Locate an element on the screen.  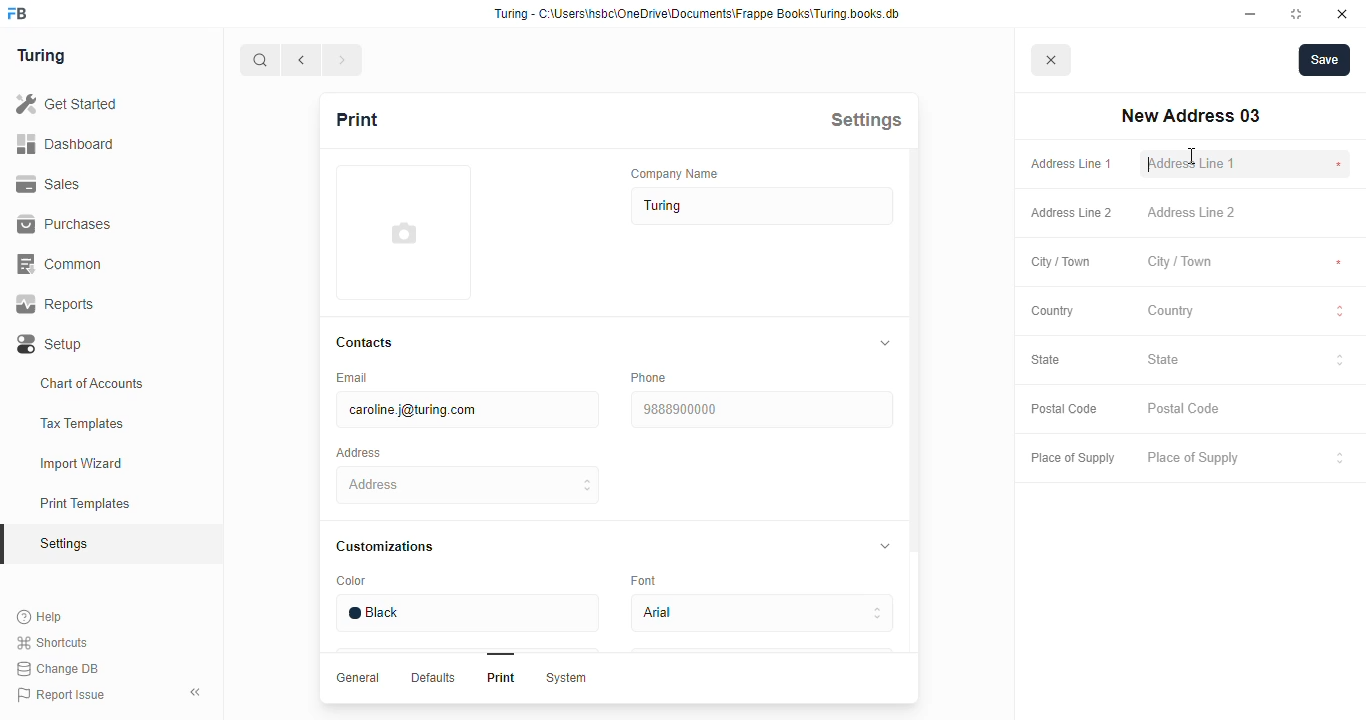
email is located at coordinates (350, 377).